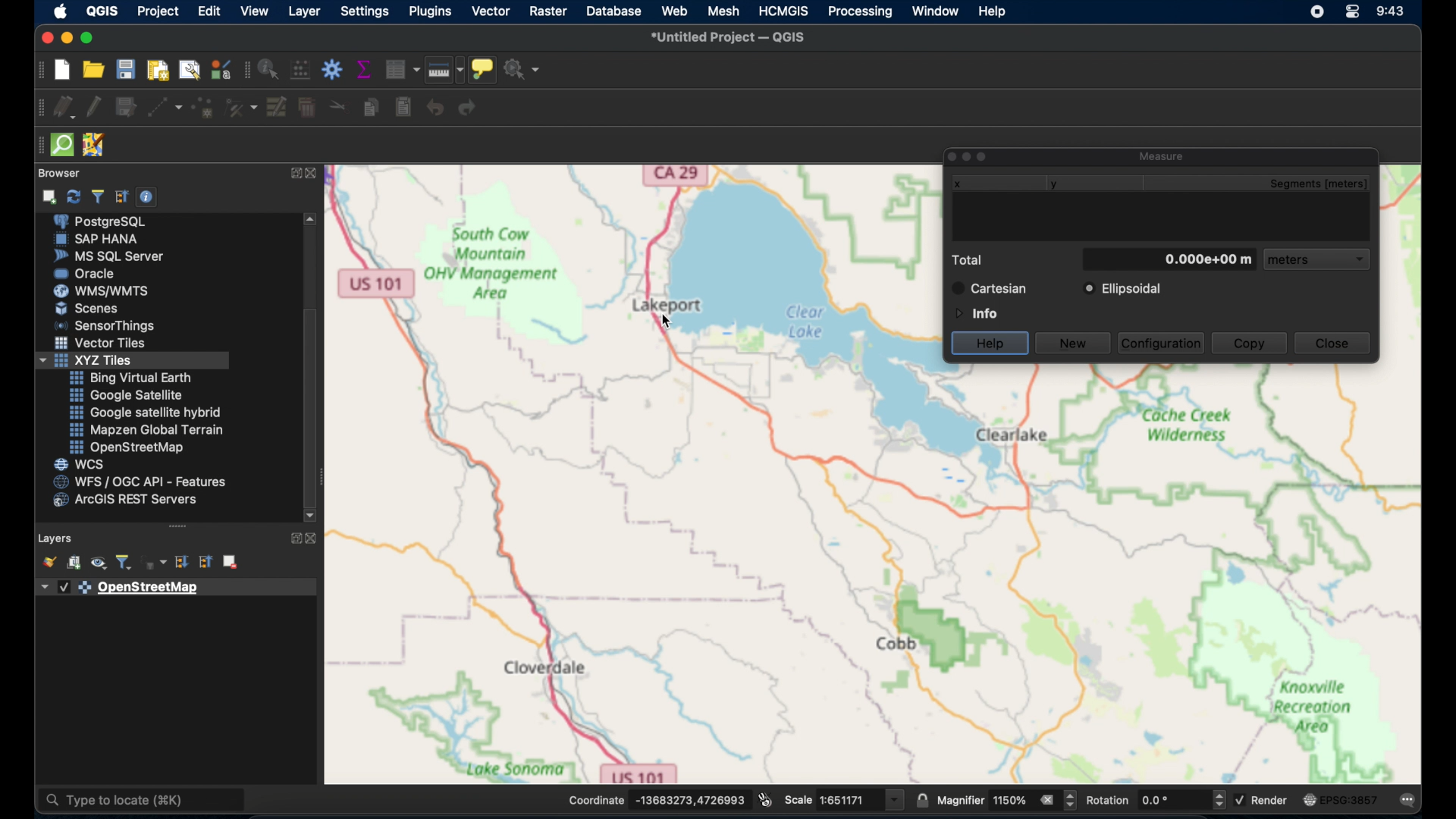  Describe the element at coordinates (1008, 801) in the screenshot. I see `magnifier` at that location.